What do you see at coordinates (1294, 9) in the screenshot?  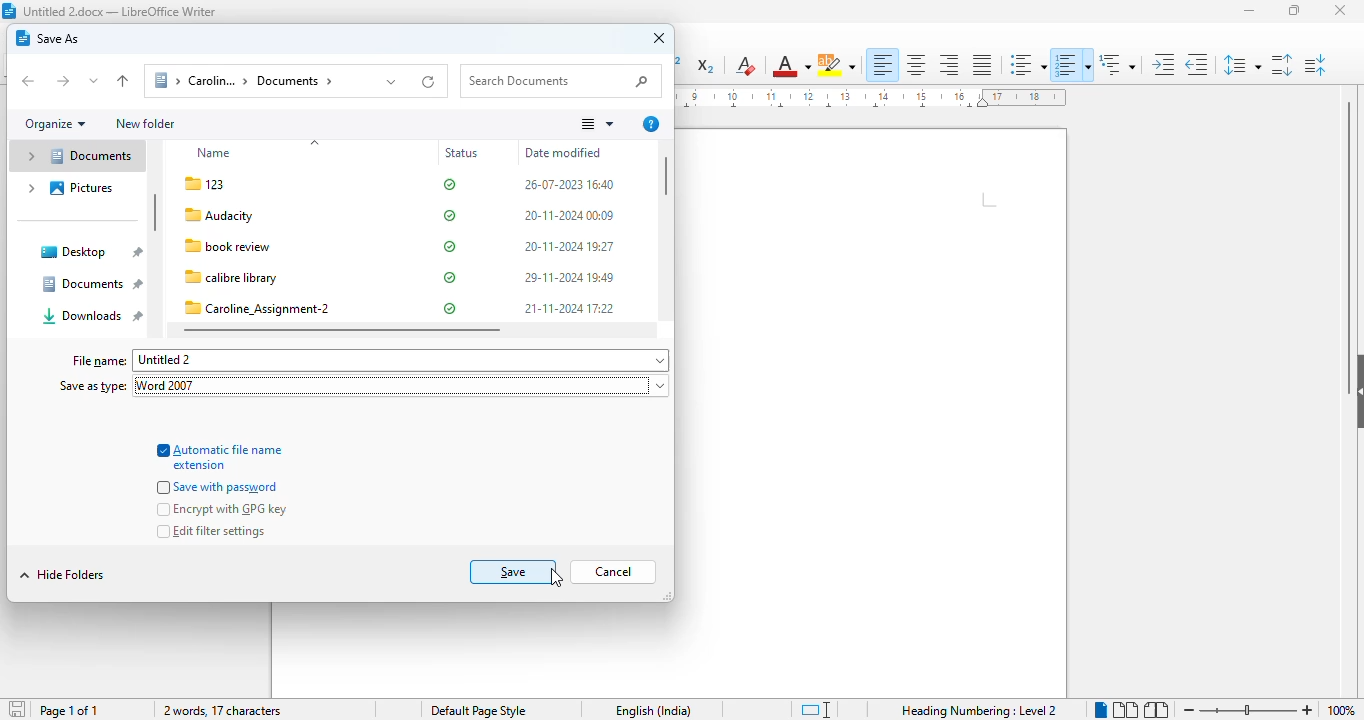 I see `maximize` at bounding box center [1294, 9].